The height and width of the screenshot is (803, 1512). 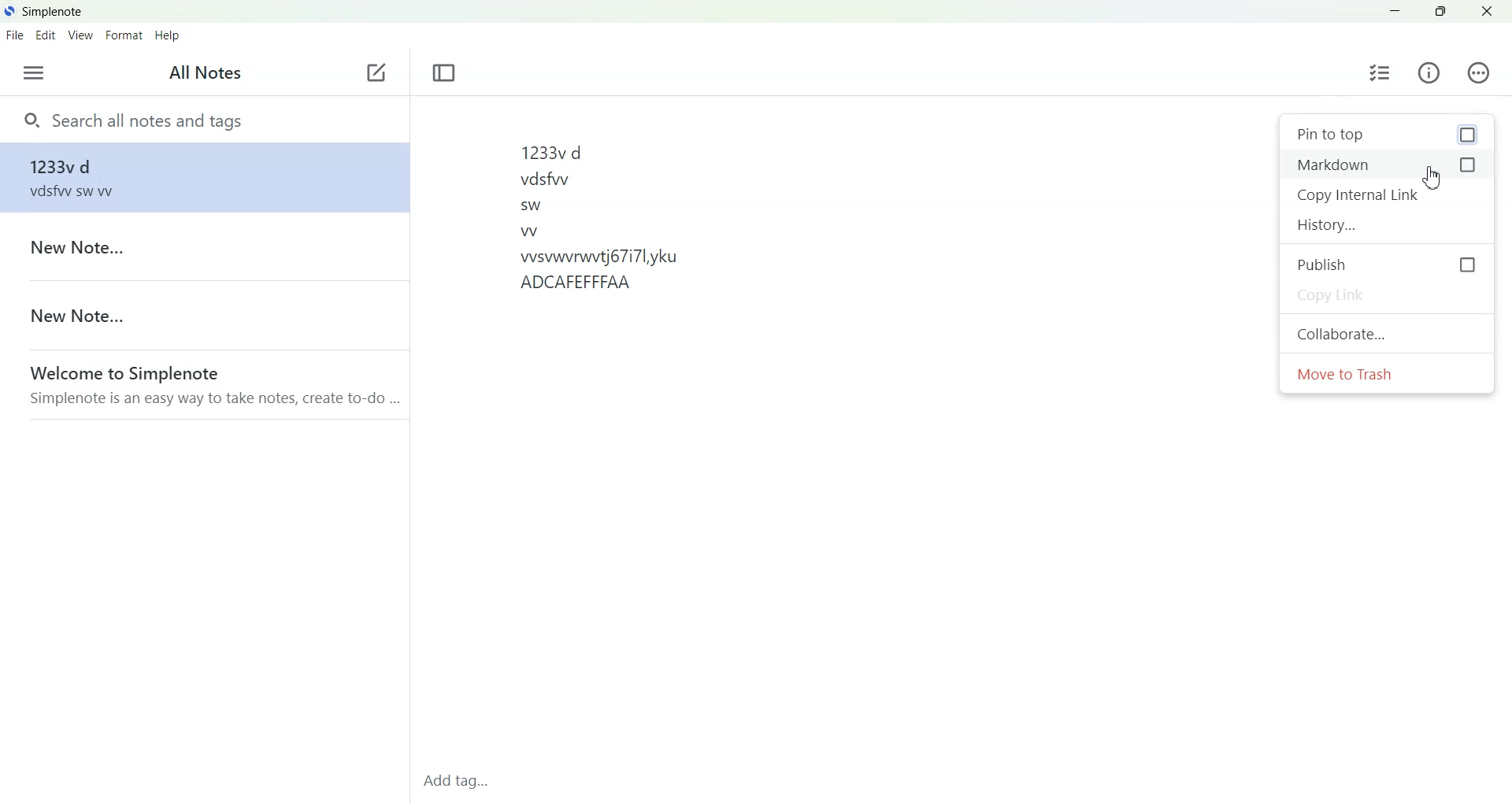 What do you see at coordinates (376, 73) in the screenshot?
I see `Add Note` at bounding box center [376, 73].